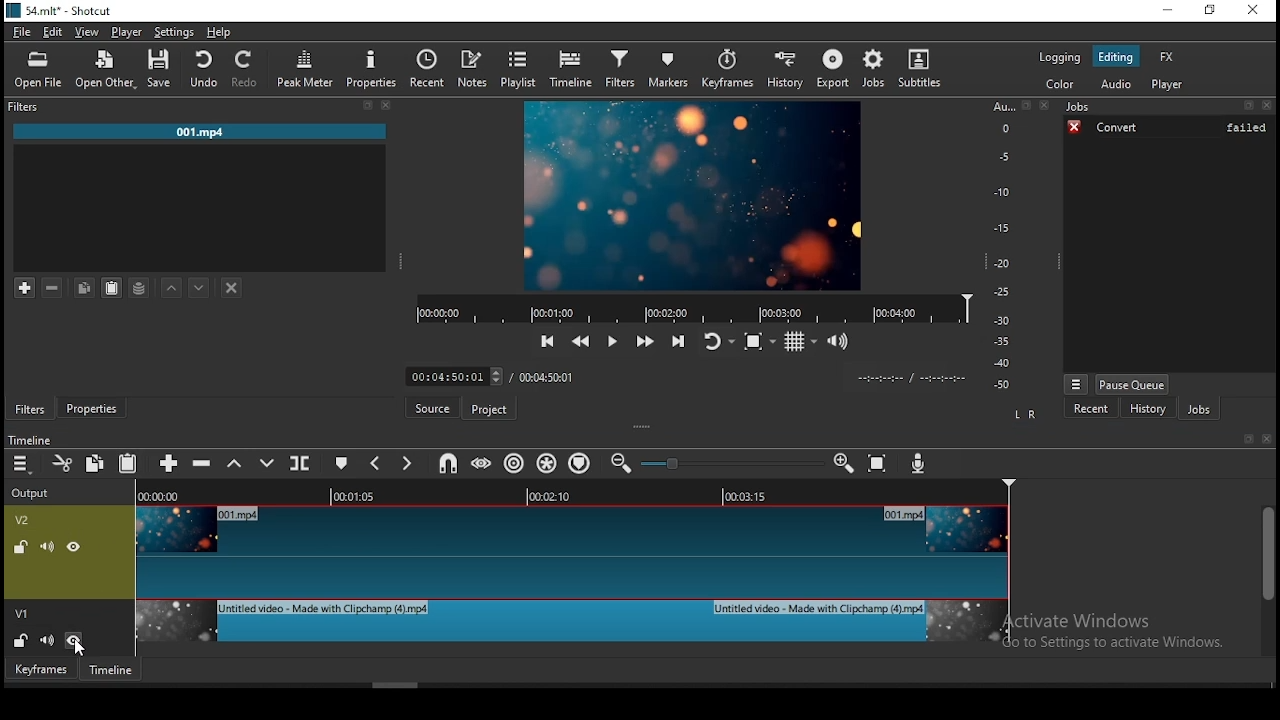 The image size is (1280, 720). What do you see at coordinates (369, 66) in the screenshot?
I see `properties` at bounding box center [369, 66].